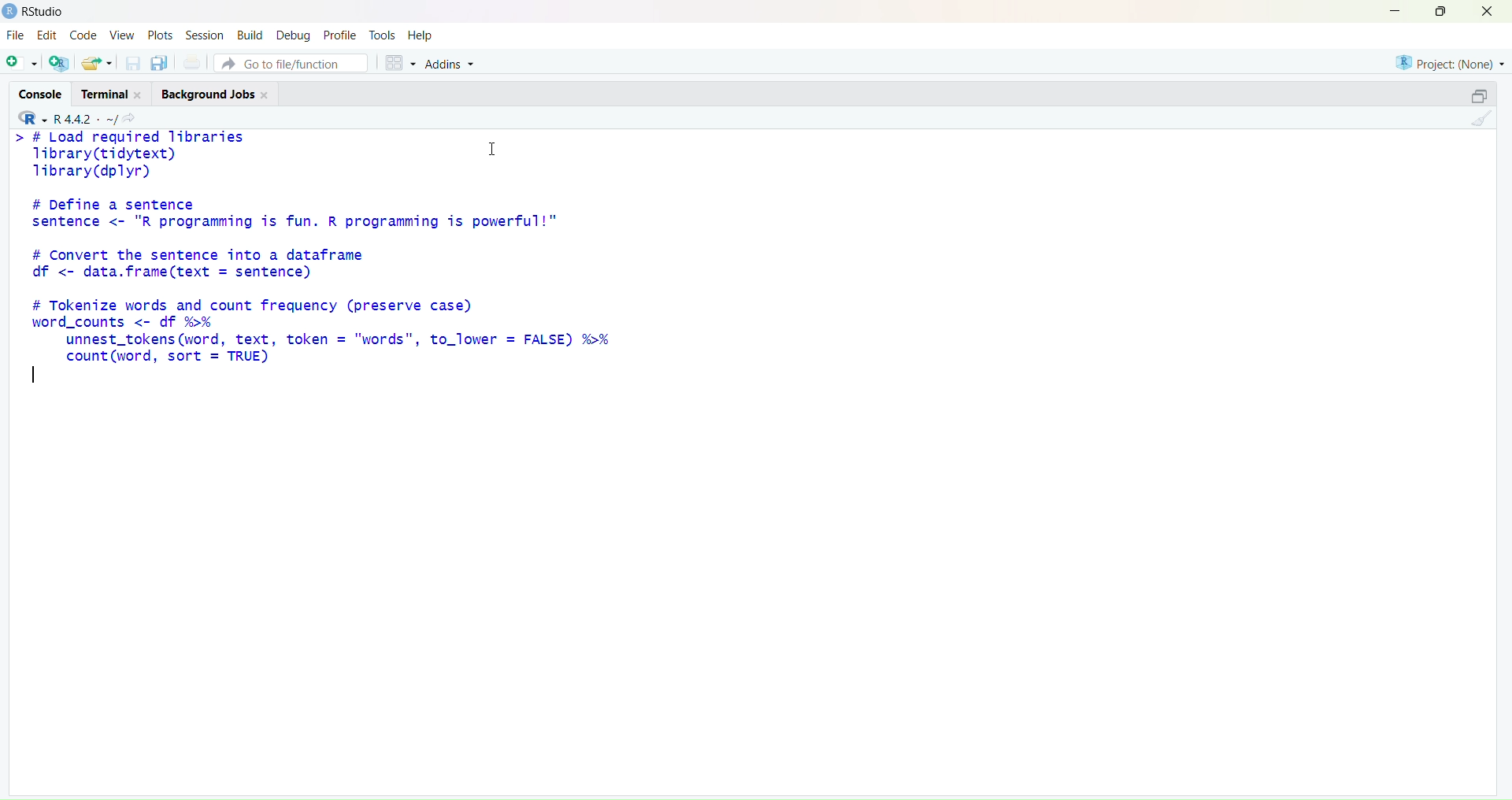 Image resolution: width=1512 pixels, height=800 pixels. I want to click on save current document, so click(132, 64).